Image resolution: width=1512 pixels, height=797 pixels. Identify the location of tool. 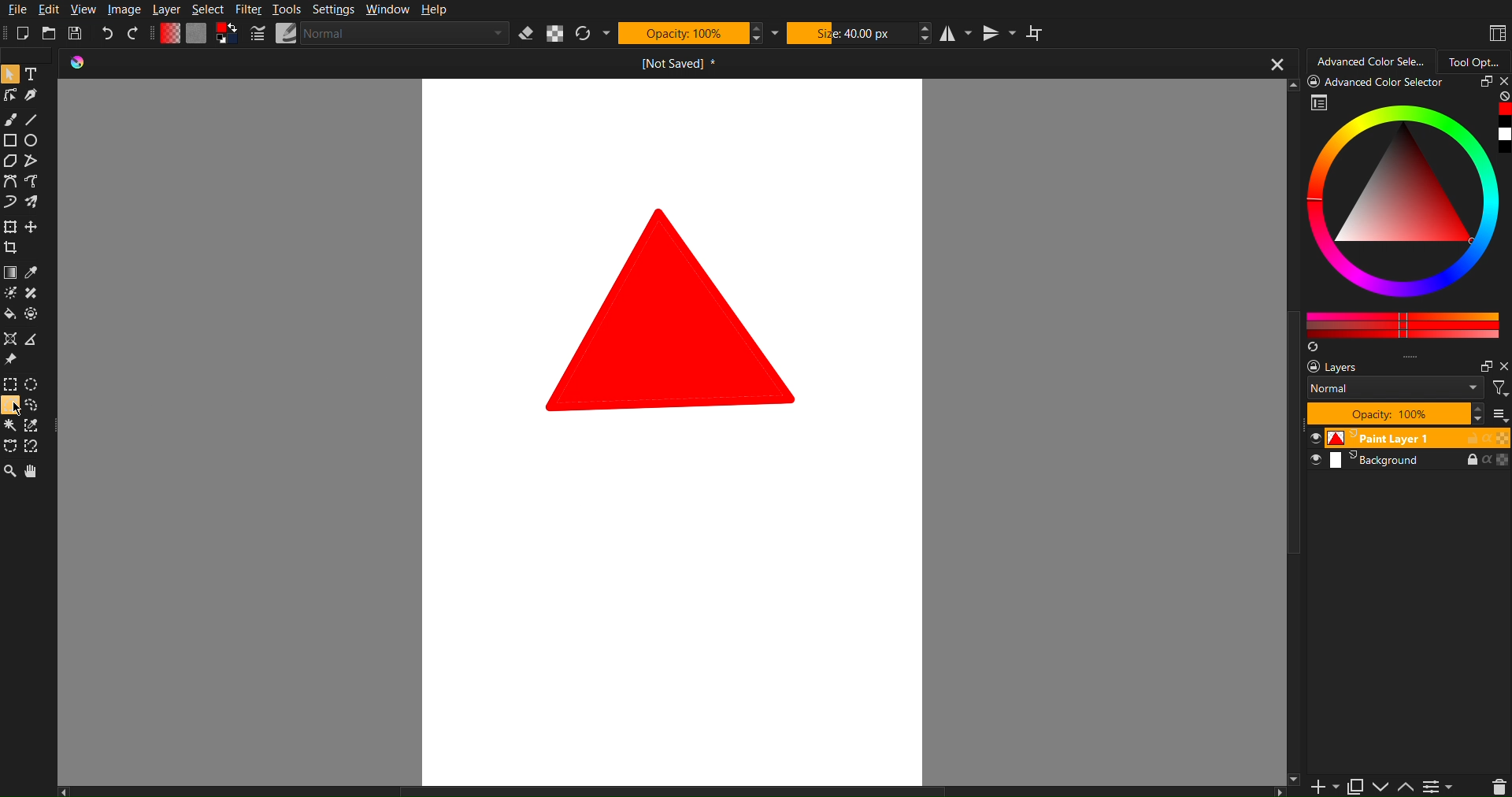
(34, 294).